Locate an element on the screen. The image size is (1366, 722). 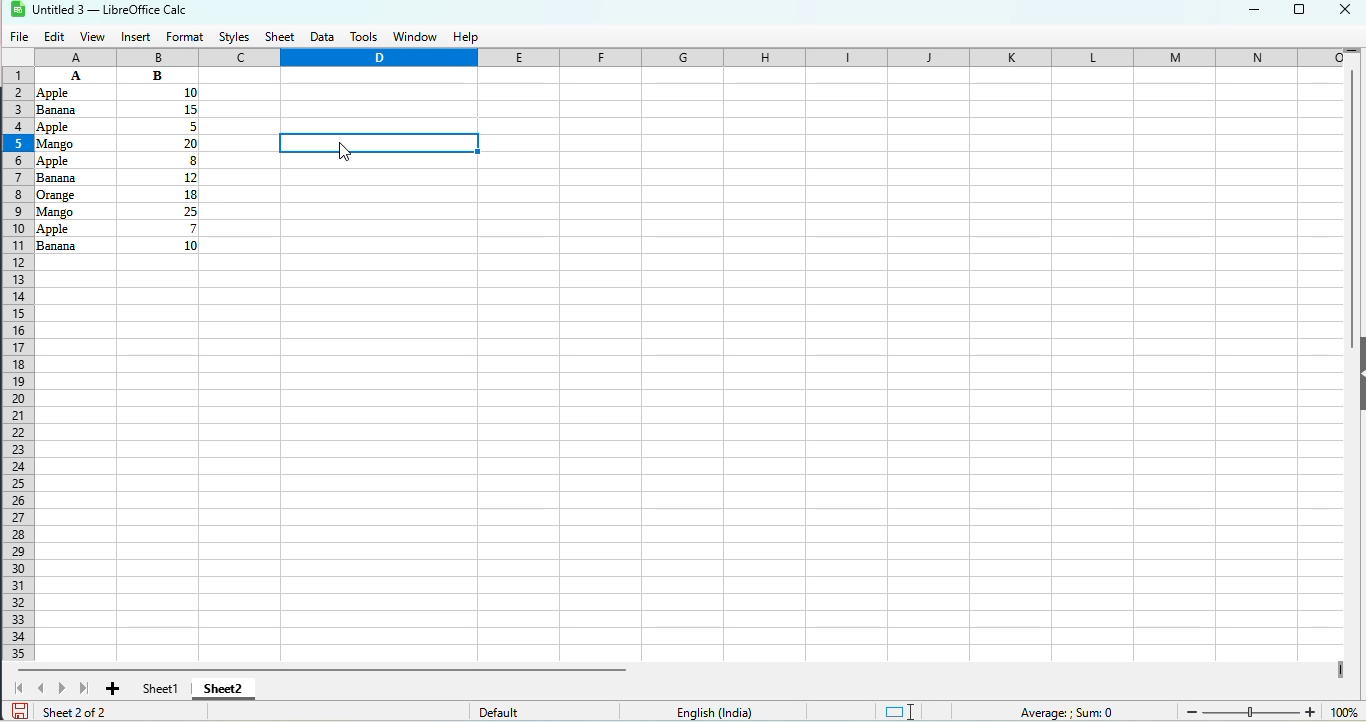
vertical scroll bar is located at coordinates (1353, 210).